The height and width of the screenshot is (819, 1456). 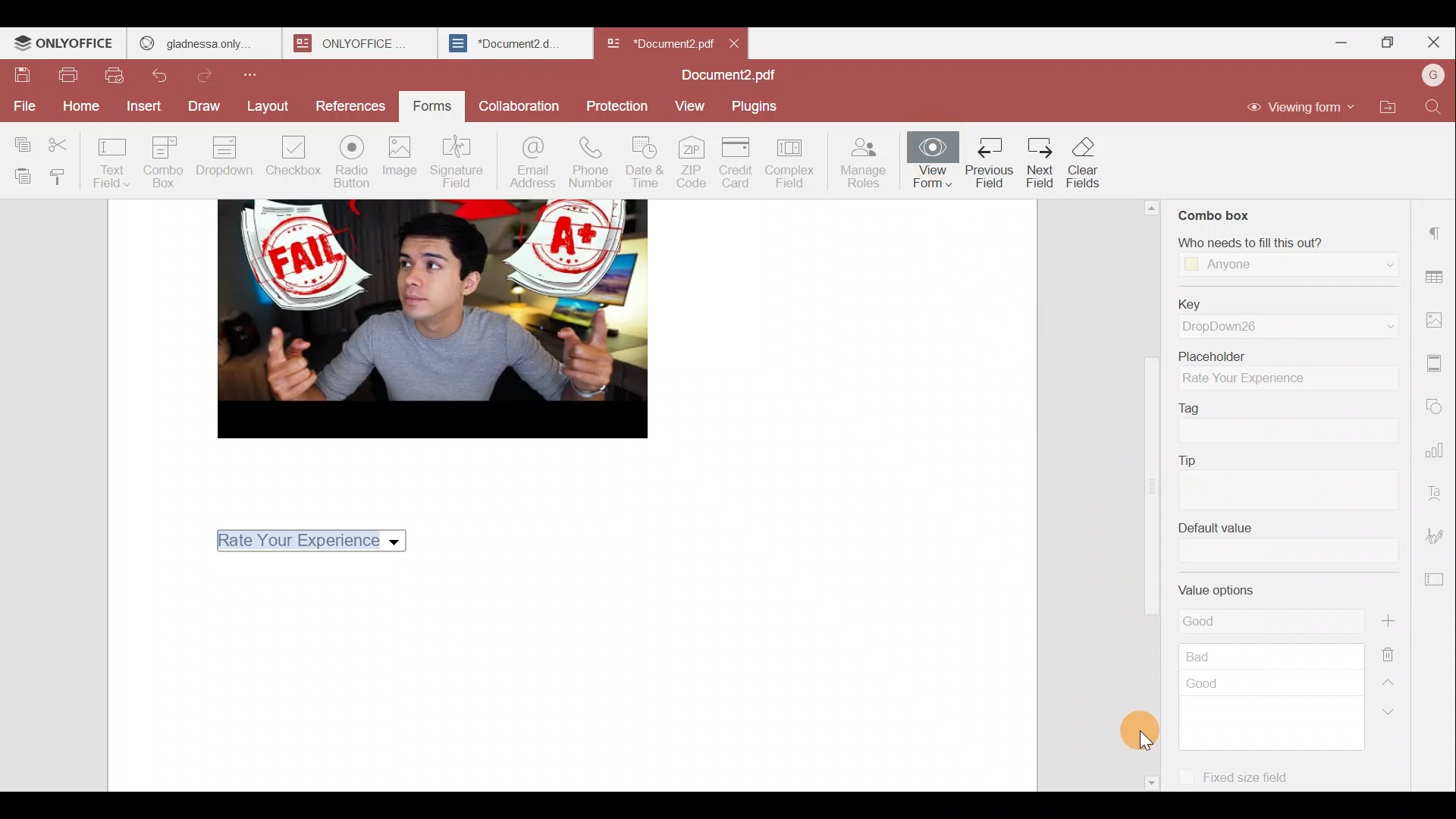 What do you see at coordinates (757, 106) in the screenshot?
I see `Plugins` at bounding box center [757, 106].